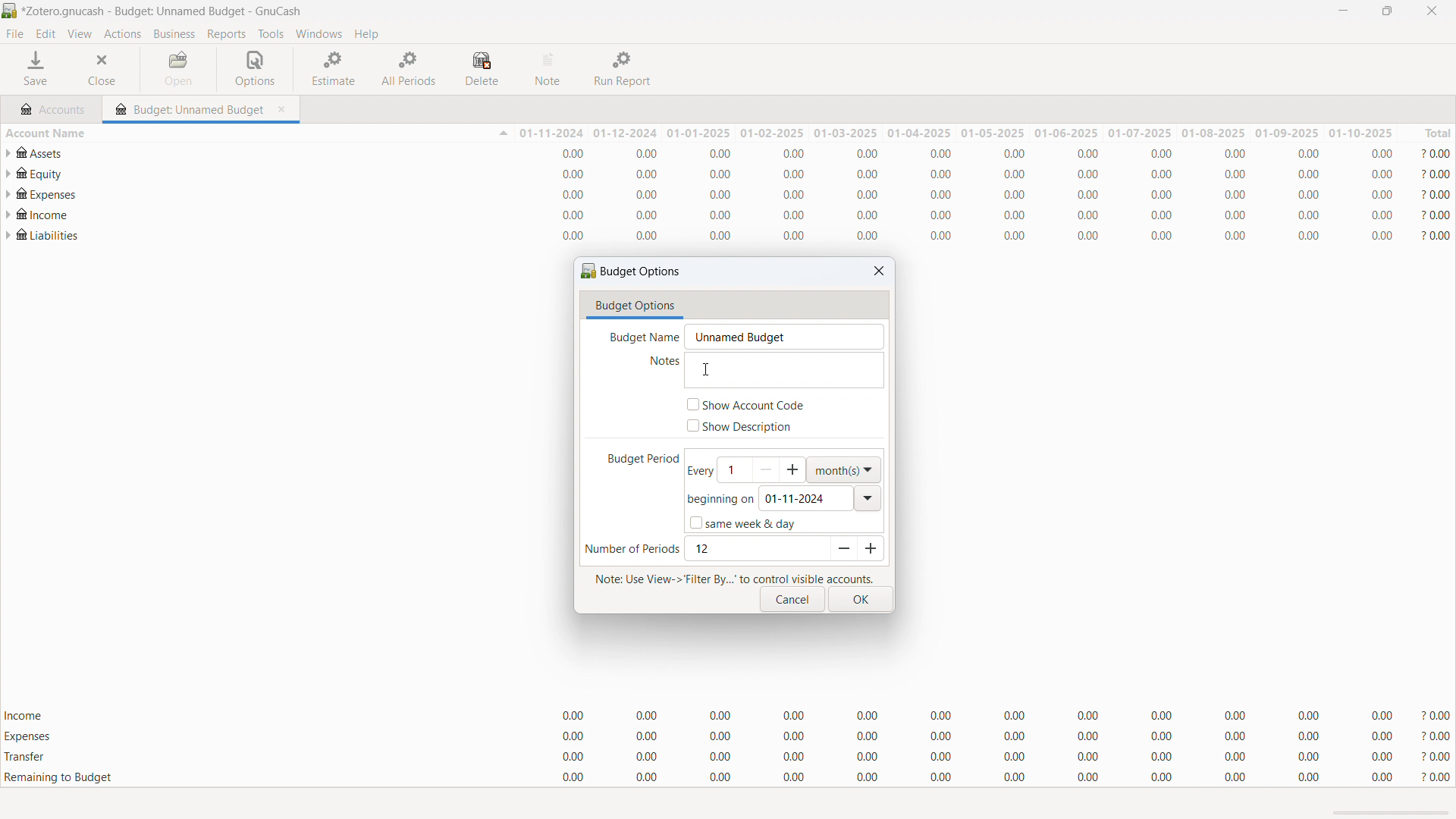 This screenshot has width=1456, height=819. I want to click on increase period, so click(869, 548).